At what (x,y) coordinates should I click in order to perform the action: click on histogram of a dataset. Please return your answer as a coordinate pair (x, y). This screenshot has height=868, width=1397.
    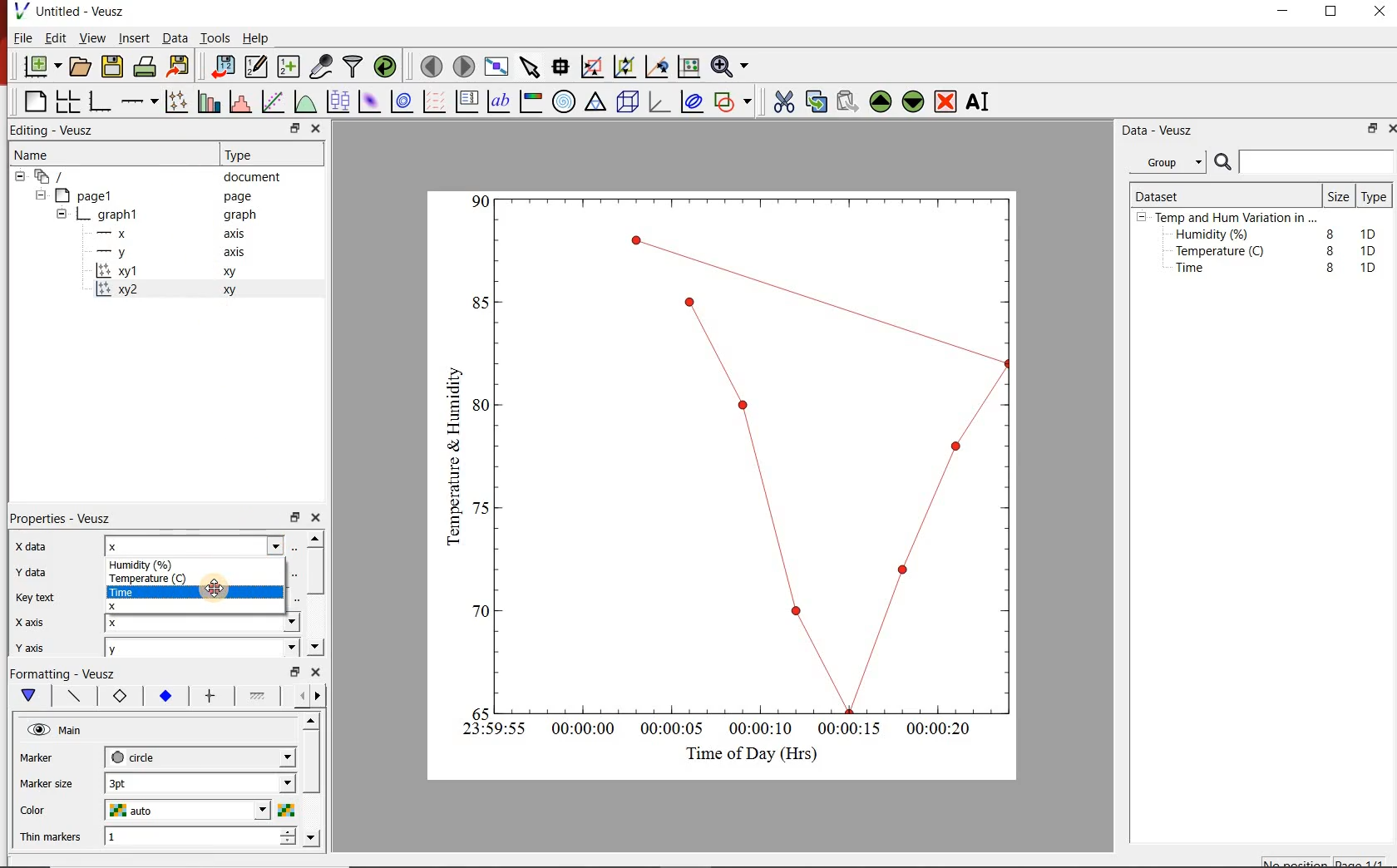
    Looking at the image, I should click on (243, 101).